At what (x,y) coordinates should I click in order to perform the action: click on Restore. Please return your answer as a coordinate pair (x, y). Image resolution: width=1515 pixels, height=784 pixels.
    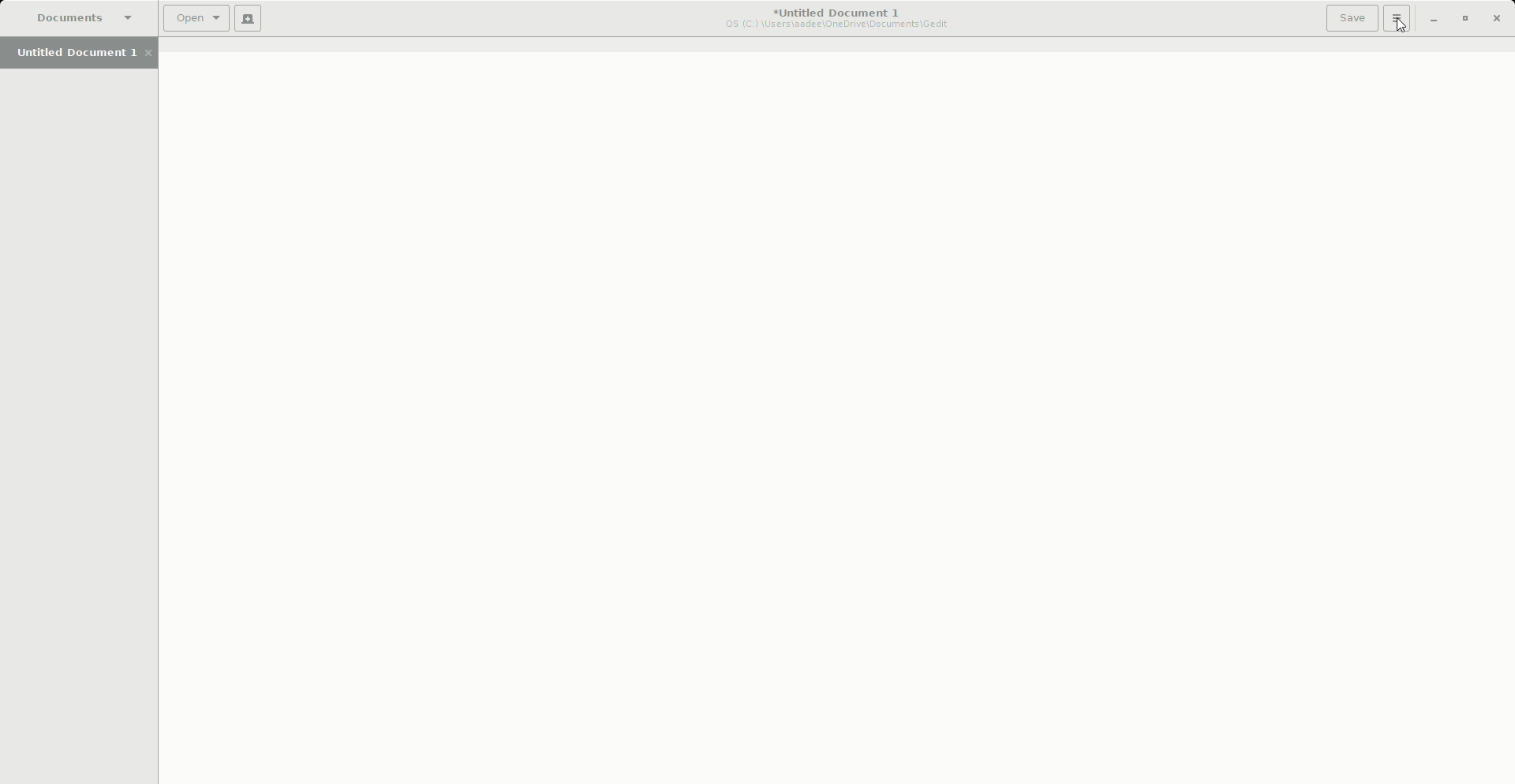
    Looking at the image, I should click on (1464, 18).